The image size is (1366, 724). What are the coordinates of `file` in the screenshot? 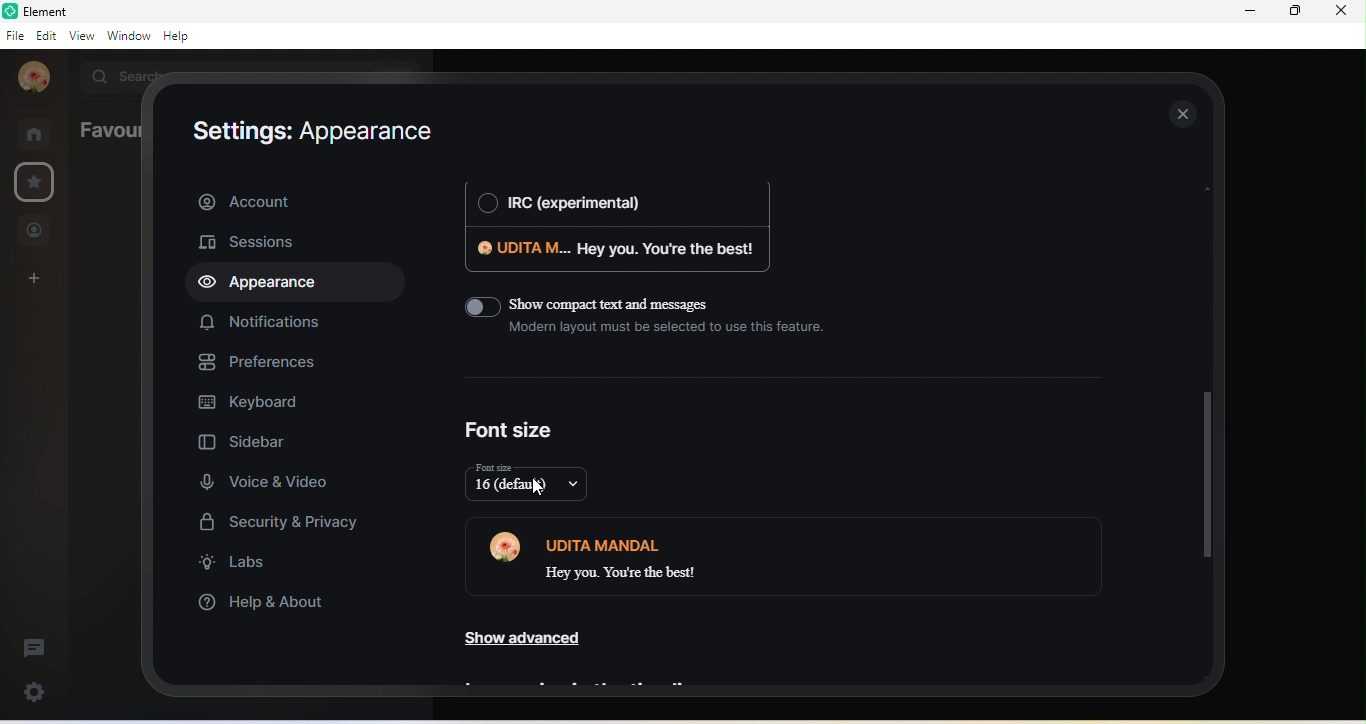 It's located at (15, 40).